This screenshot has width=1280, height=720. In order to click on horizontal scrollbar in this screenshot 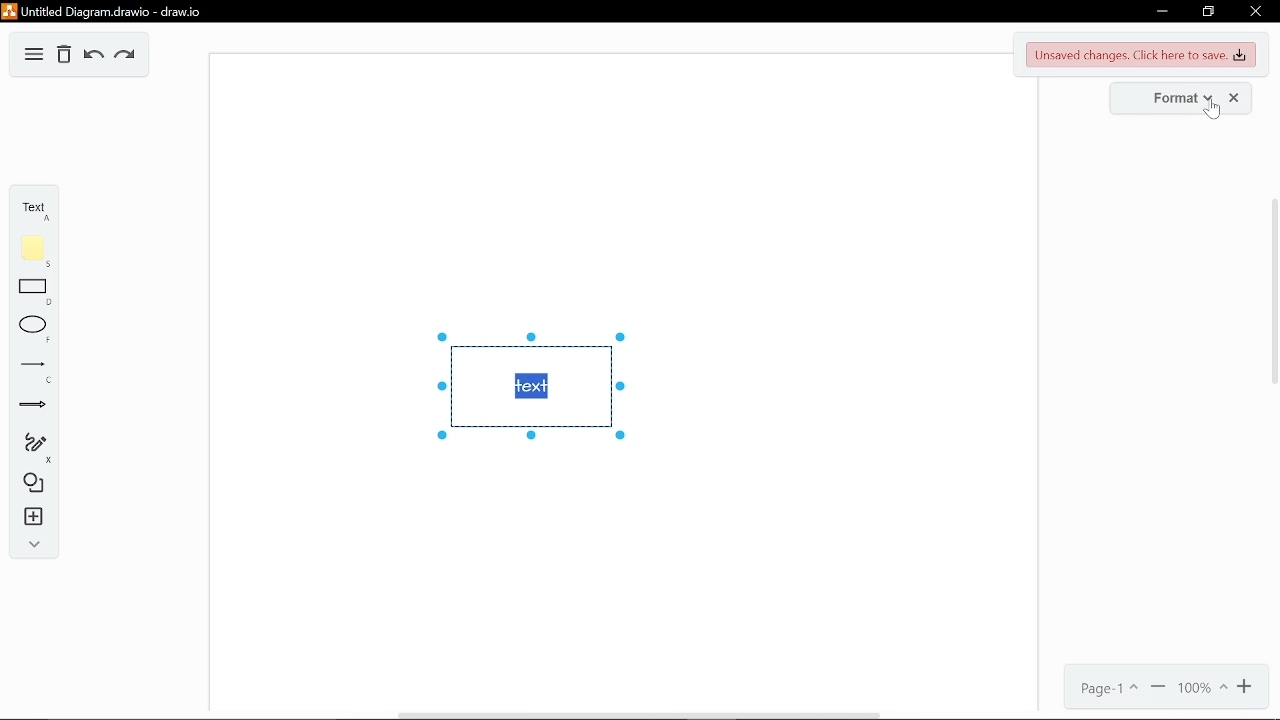, I will do `click(632, 715)`.